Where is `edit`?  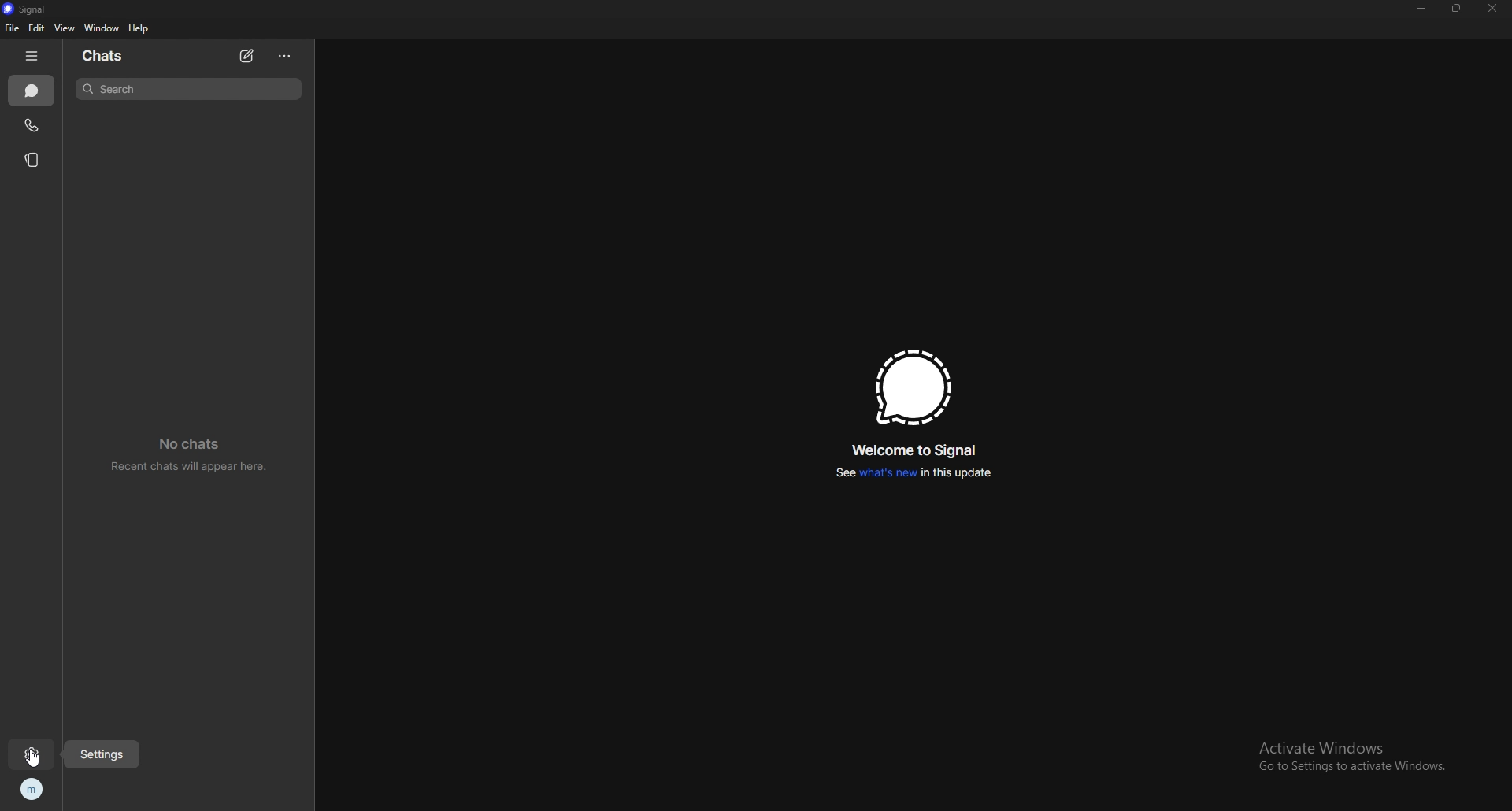 edit is located at coordinates (38, 28).